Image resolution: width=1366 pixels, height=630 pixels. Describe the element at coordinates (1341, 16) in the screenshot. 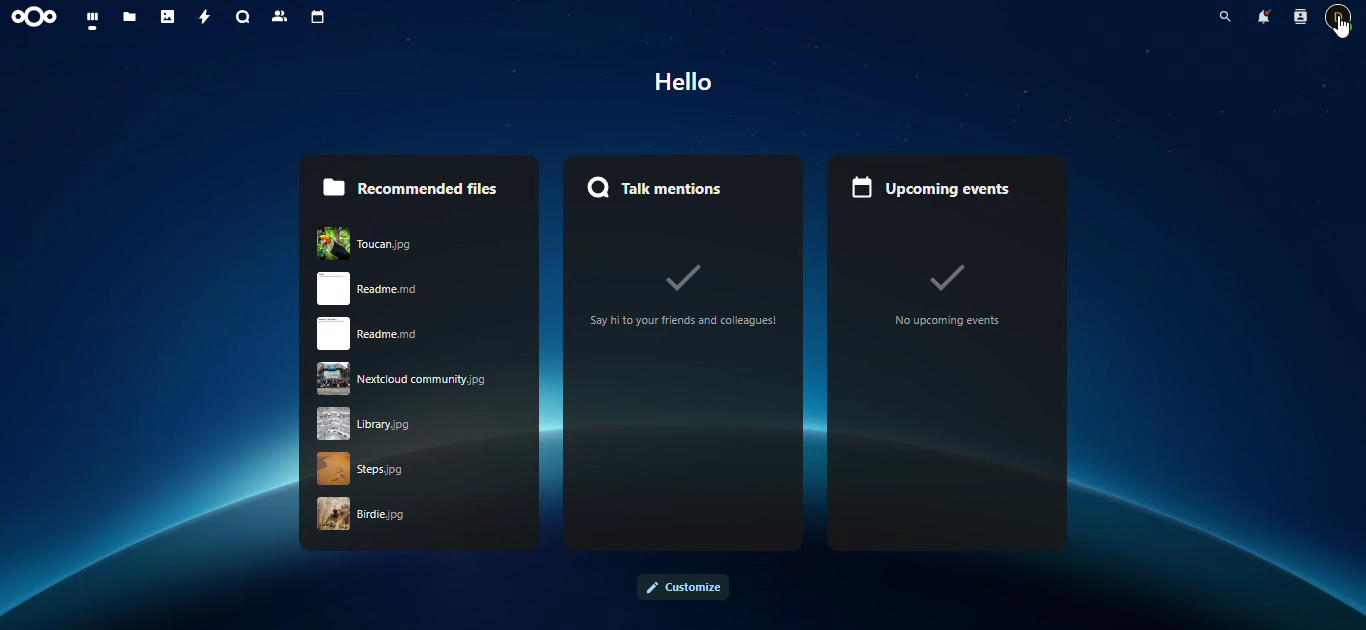

I see `contact` at that location.